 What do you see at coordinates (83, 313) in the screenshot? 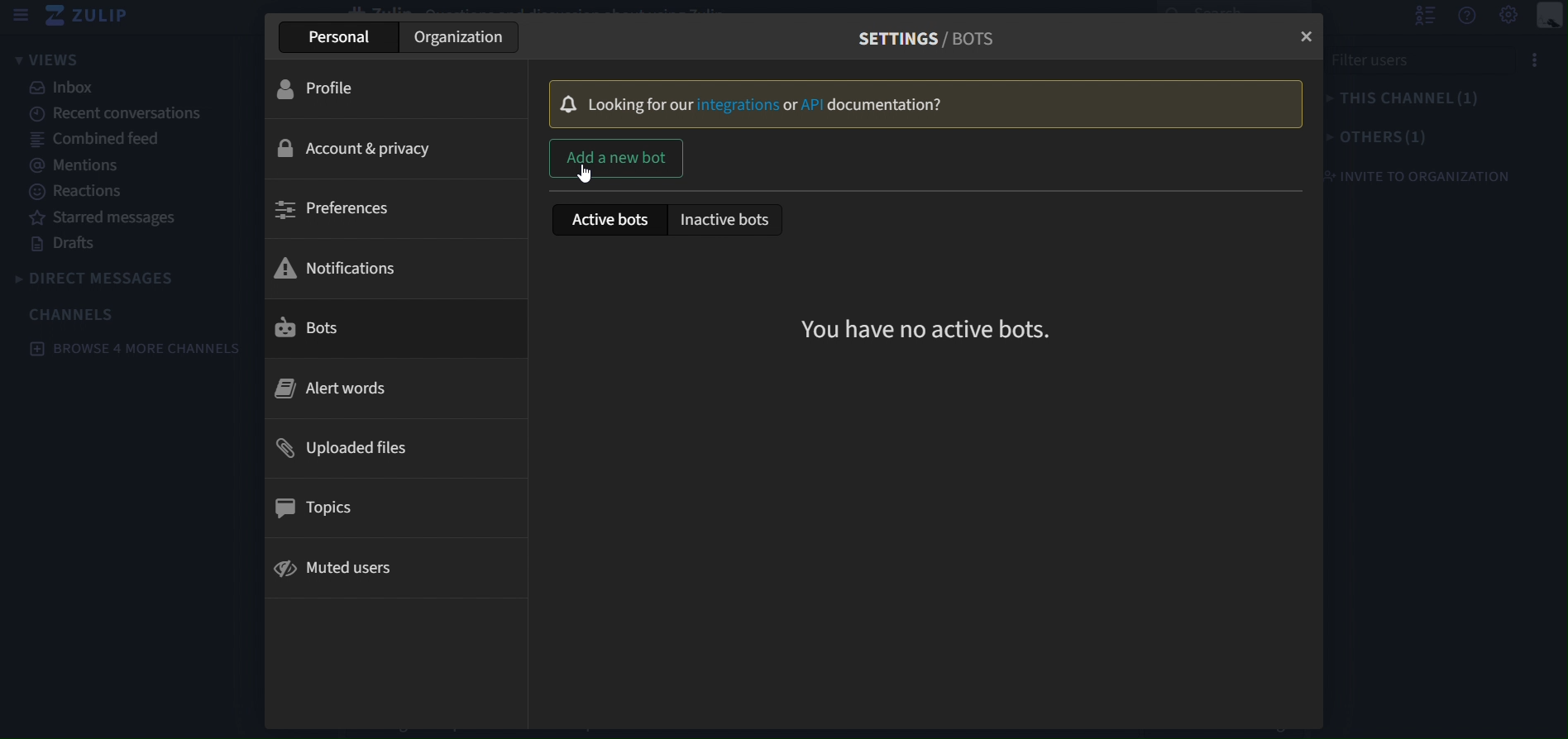
I see `channels` at bounding box center [83, 313].